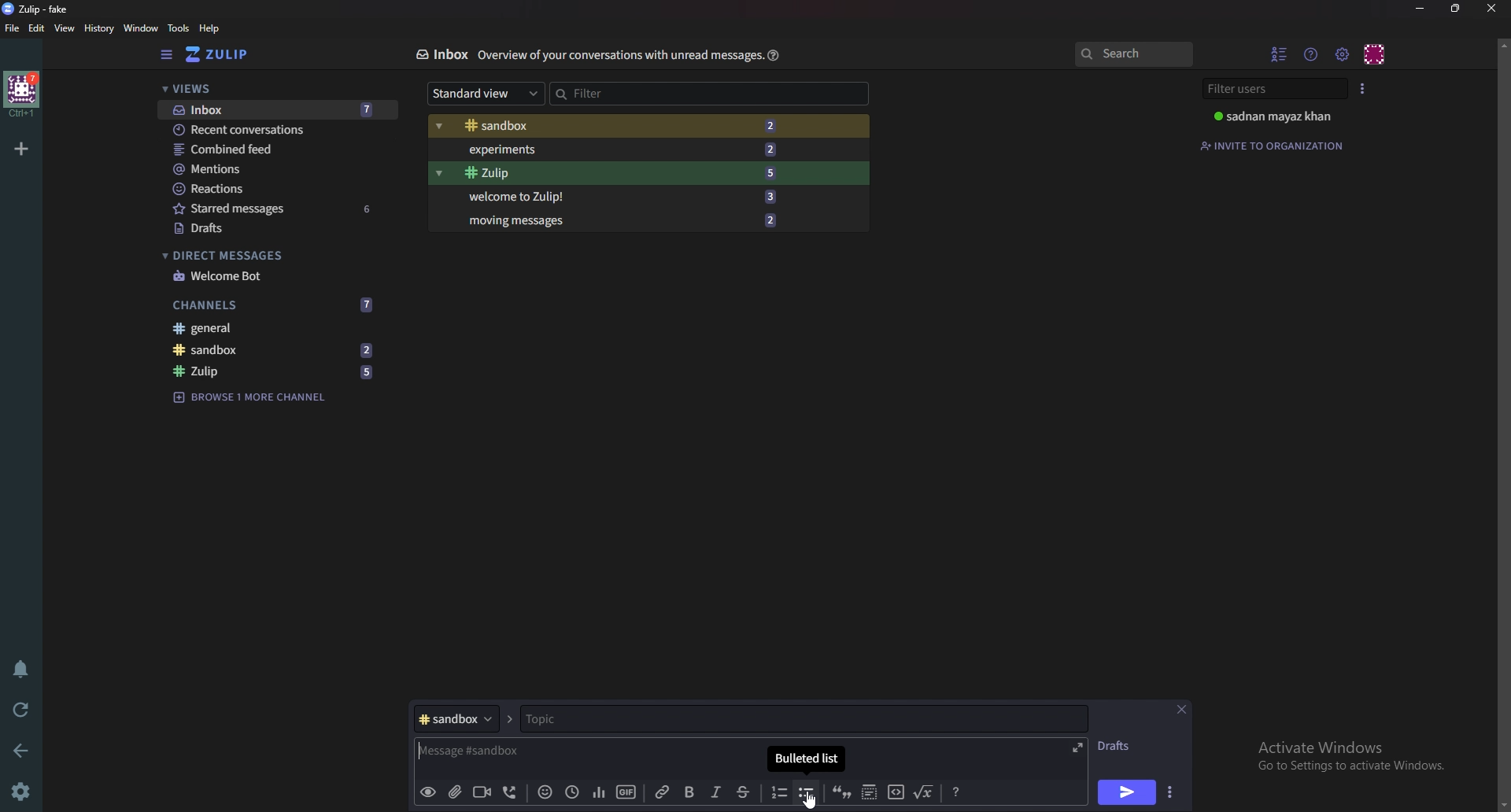  I want to click on Minimize, so click(1422, 9).